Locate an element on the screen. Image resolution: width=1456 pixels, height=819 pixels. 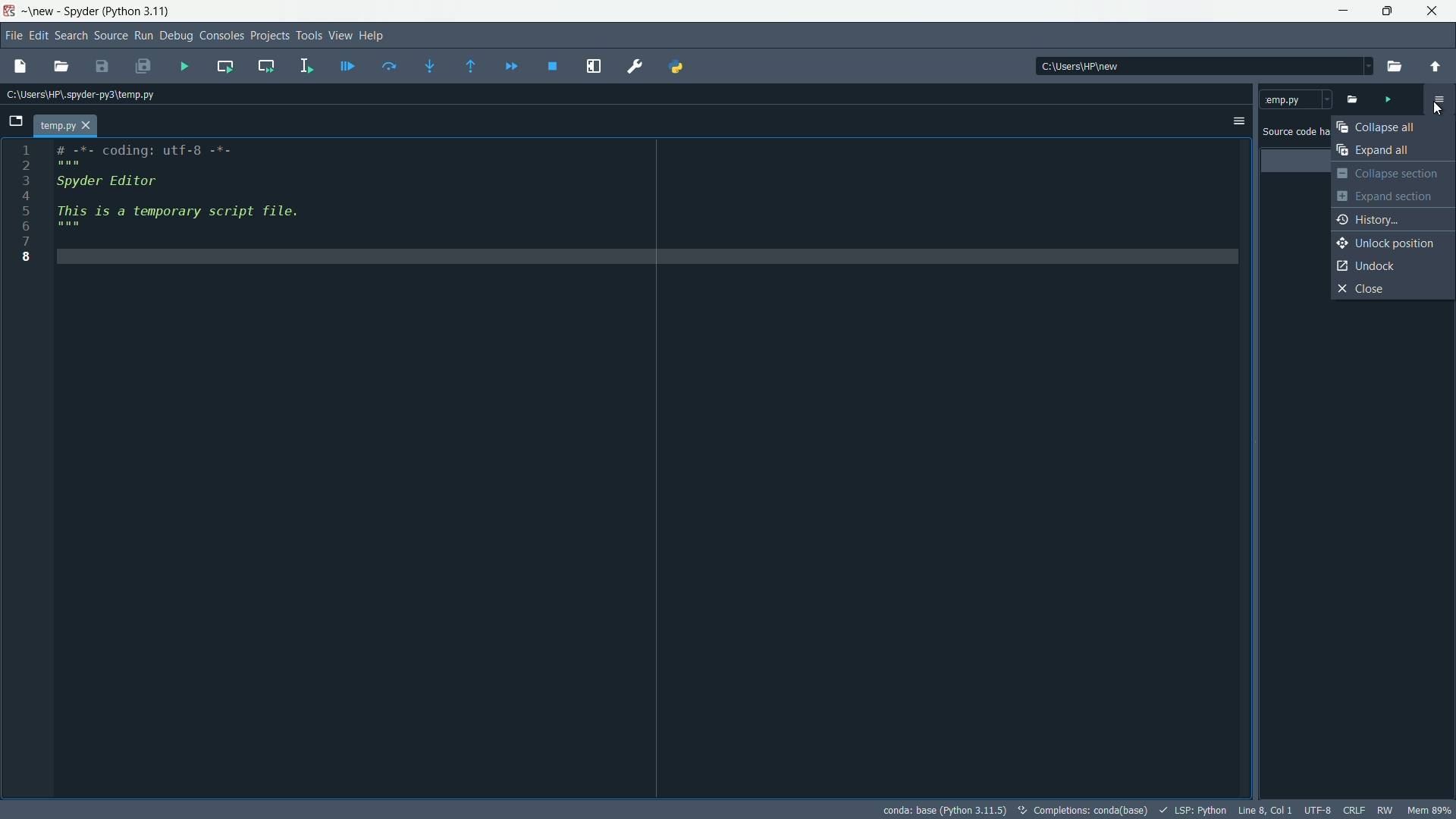
app icon is located at coordinates (11, 11).